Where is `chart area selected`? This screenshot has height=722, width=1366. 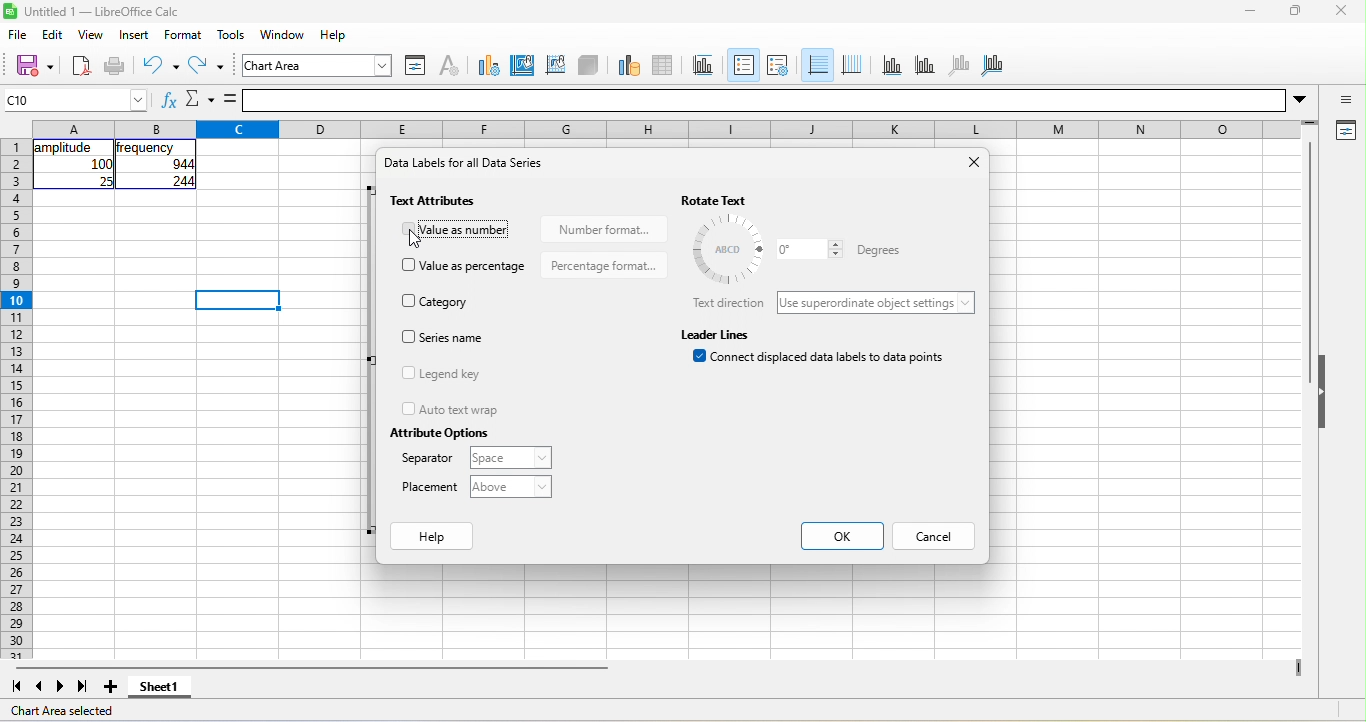 chart area selected is located at coordinates (67, 712).